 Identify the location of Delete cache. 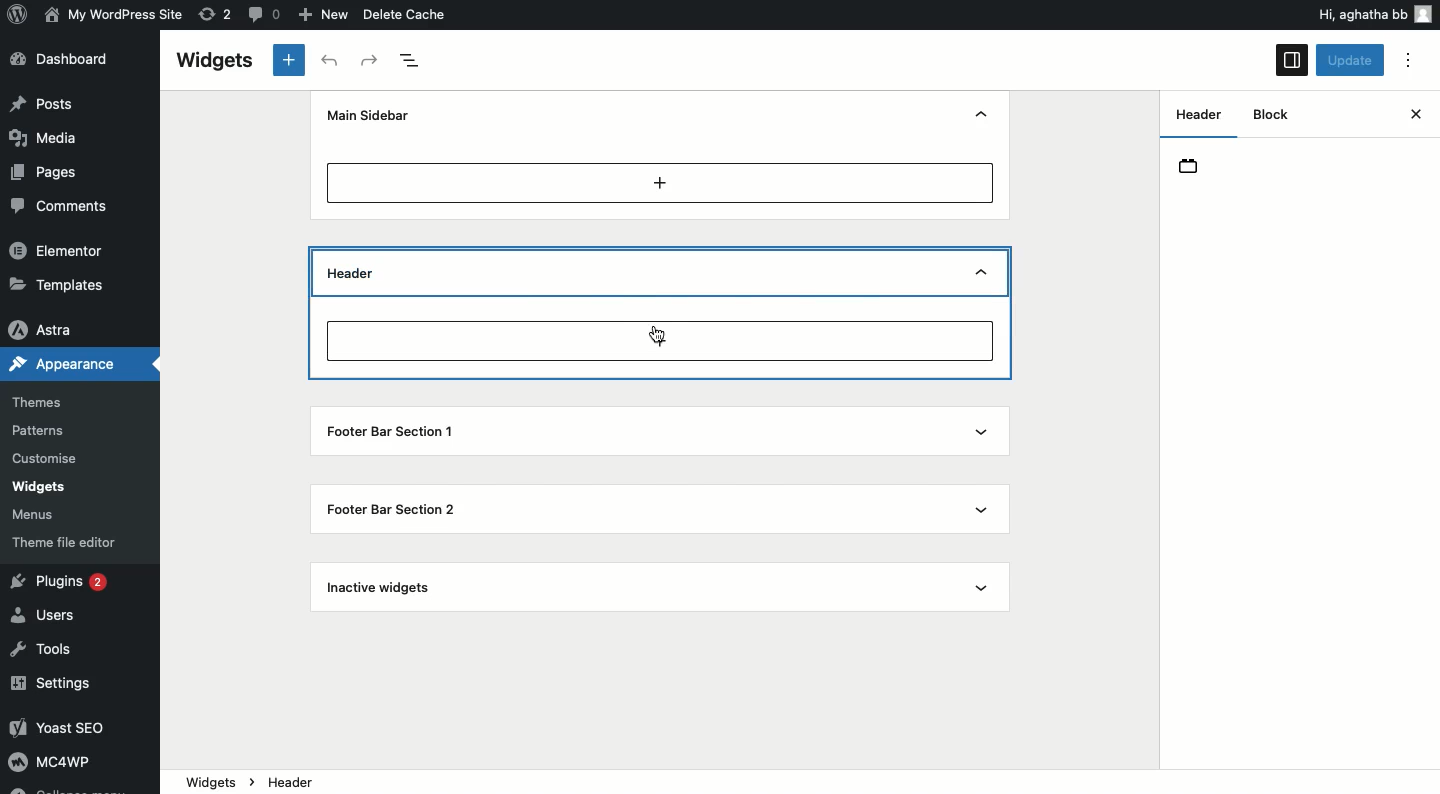
(406, 14).